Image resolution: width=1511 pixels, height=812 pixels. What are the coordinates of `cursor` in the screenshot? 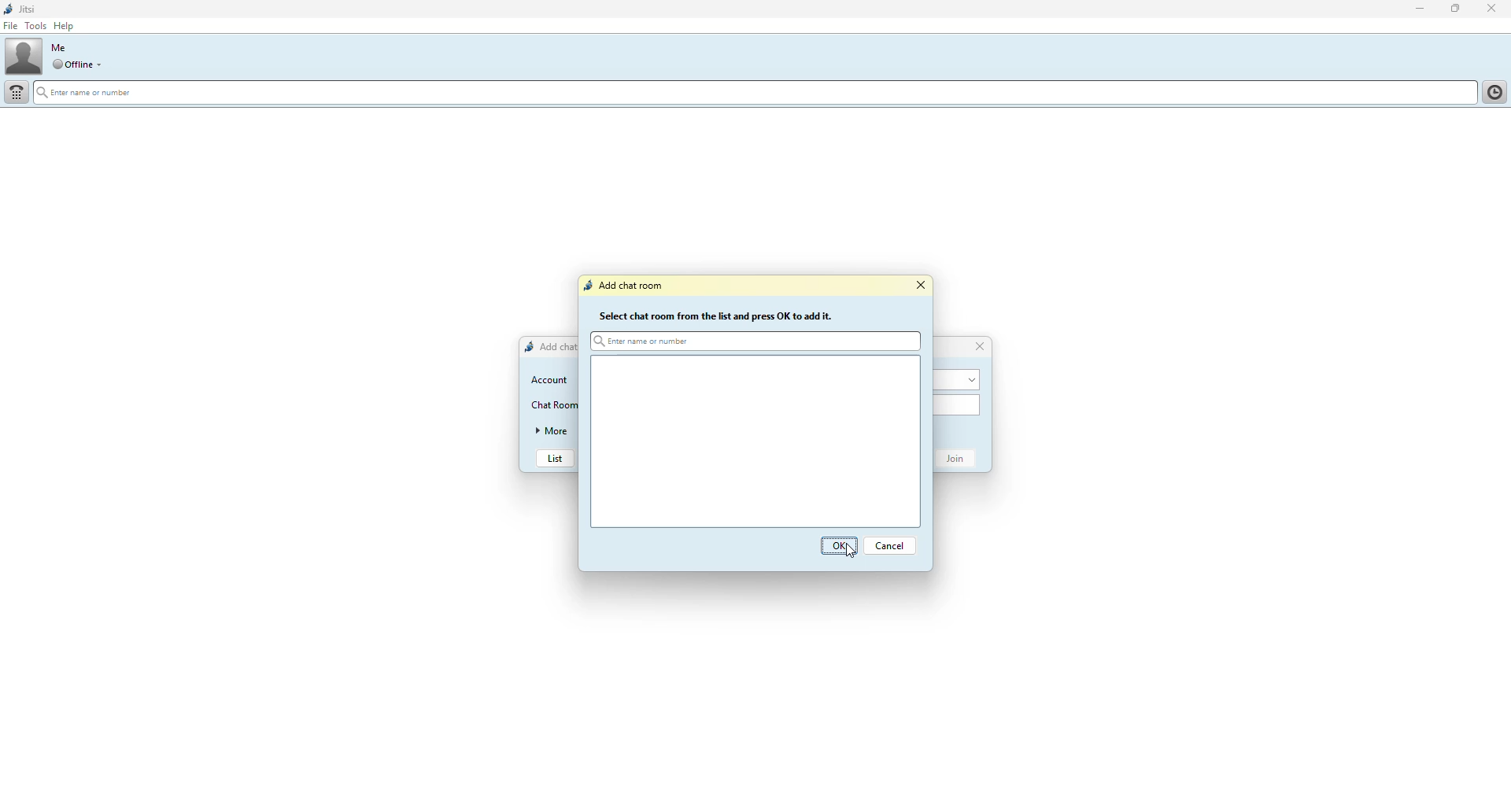 It's located at (849, 552).